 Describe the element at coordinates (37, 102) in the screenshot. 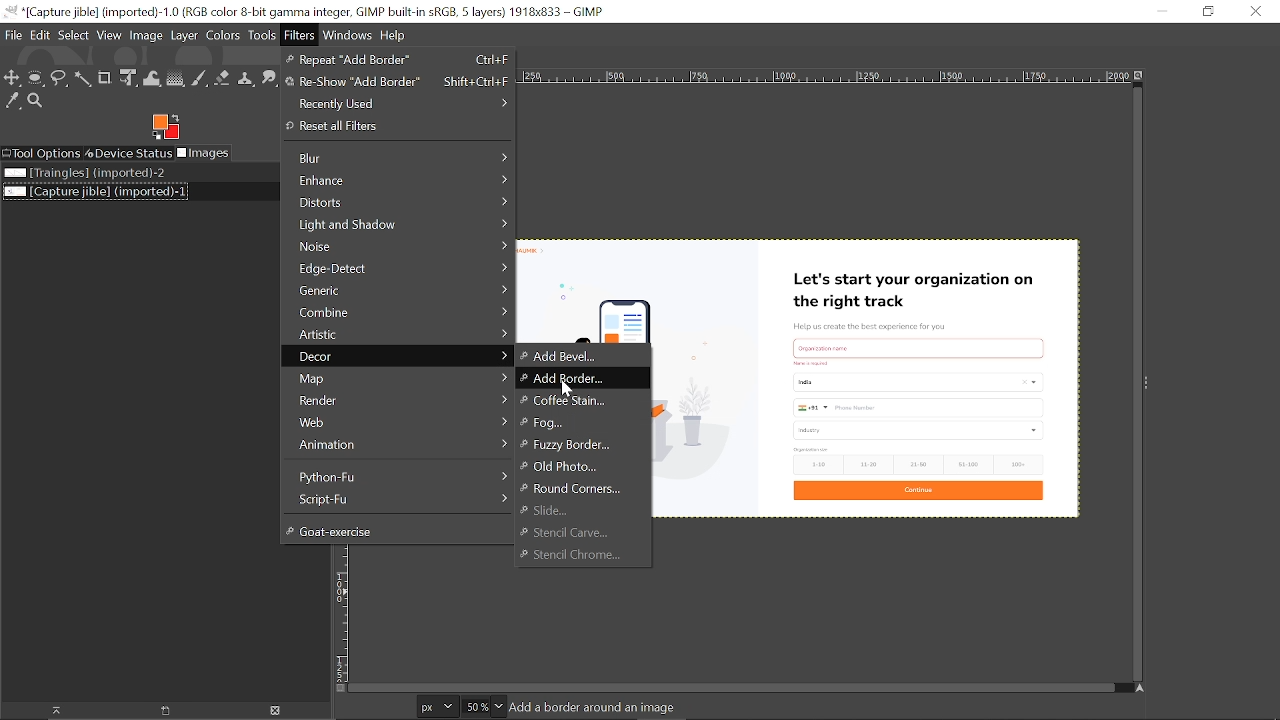

I see `Zoom tool` at that location.